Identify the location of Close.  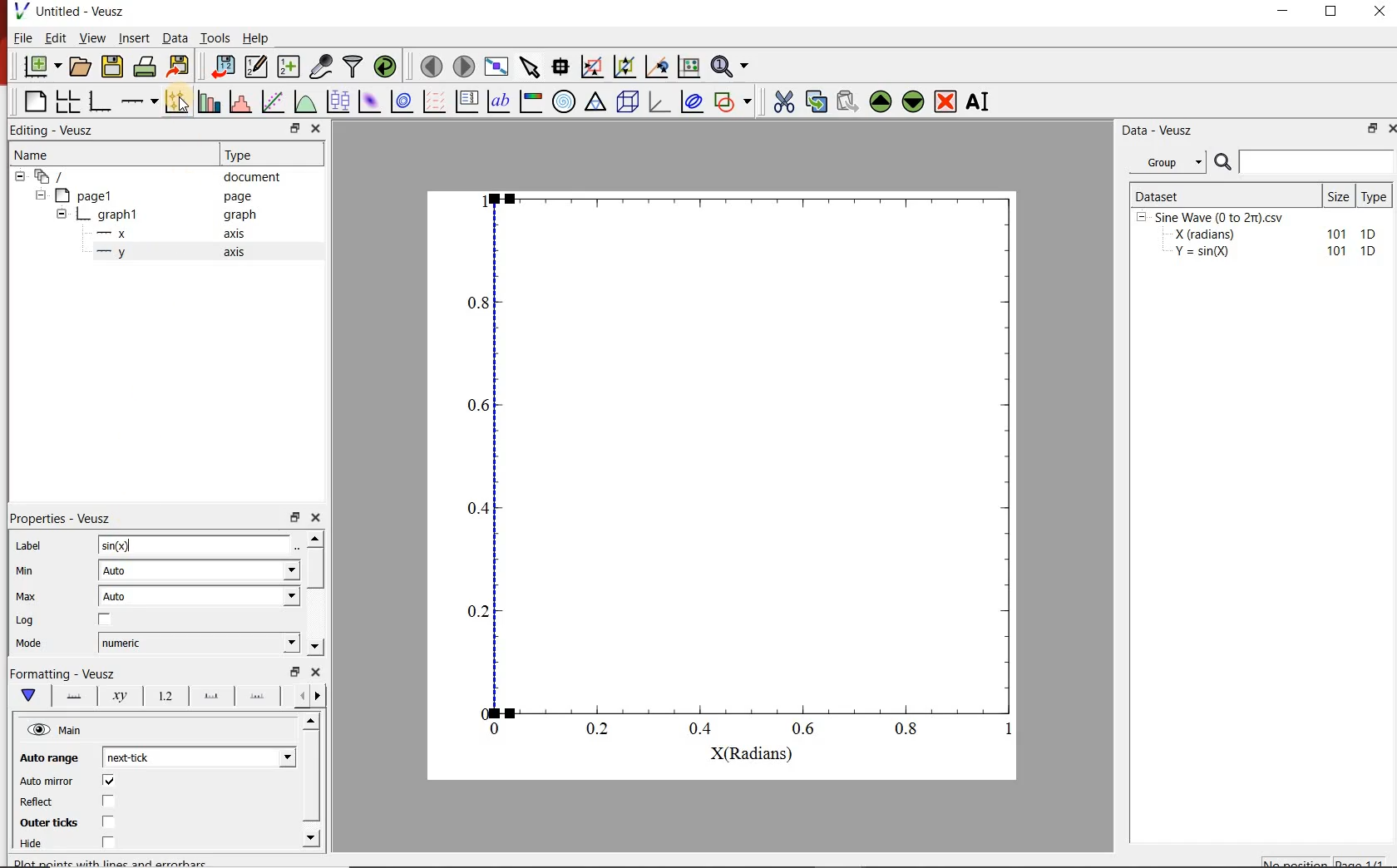
(317, 515).